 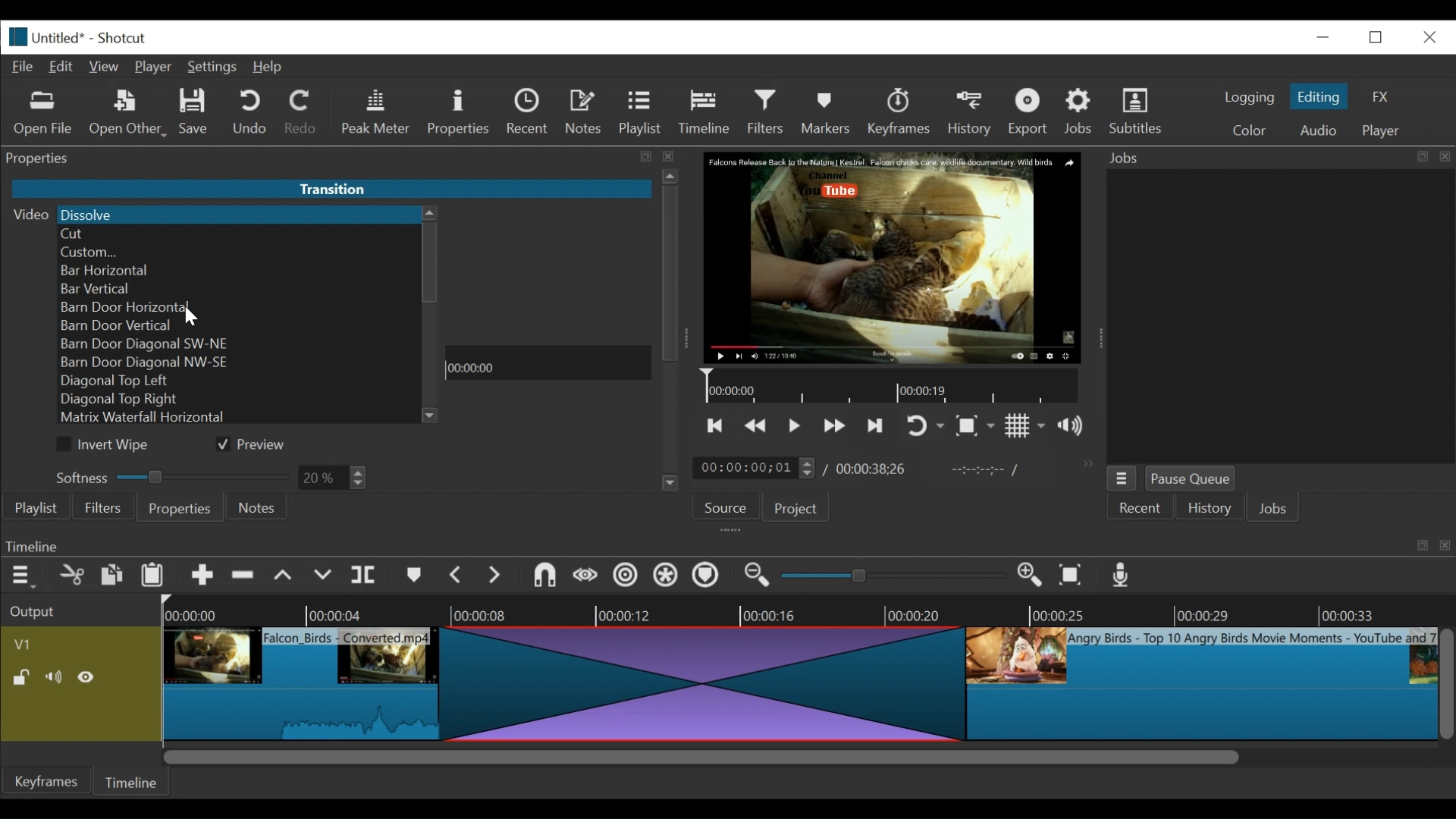 I want to click on (un)lock track, so click(x=21, y=677).